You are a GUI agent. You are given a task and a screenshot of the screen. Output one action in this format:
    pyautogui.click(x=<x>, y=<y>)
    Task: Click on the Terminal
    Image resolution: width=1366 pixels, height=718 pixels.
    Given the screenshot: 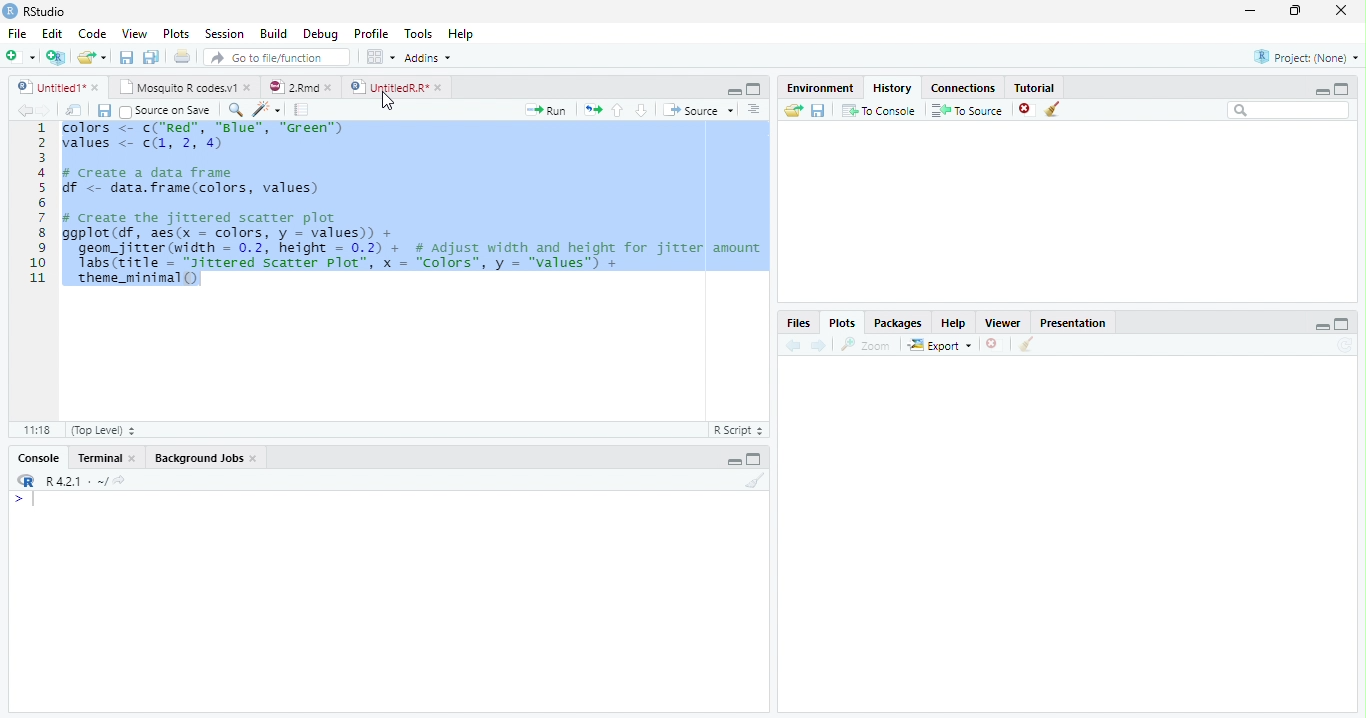 What is the action you would take?
    pyautogui.click(x=99, y=458)
    